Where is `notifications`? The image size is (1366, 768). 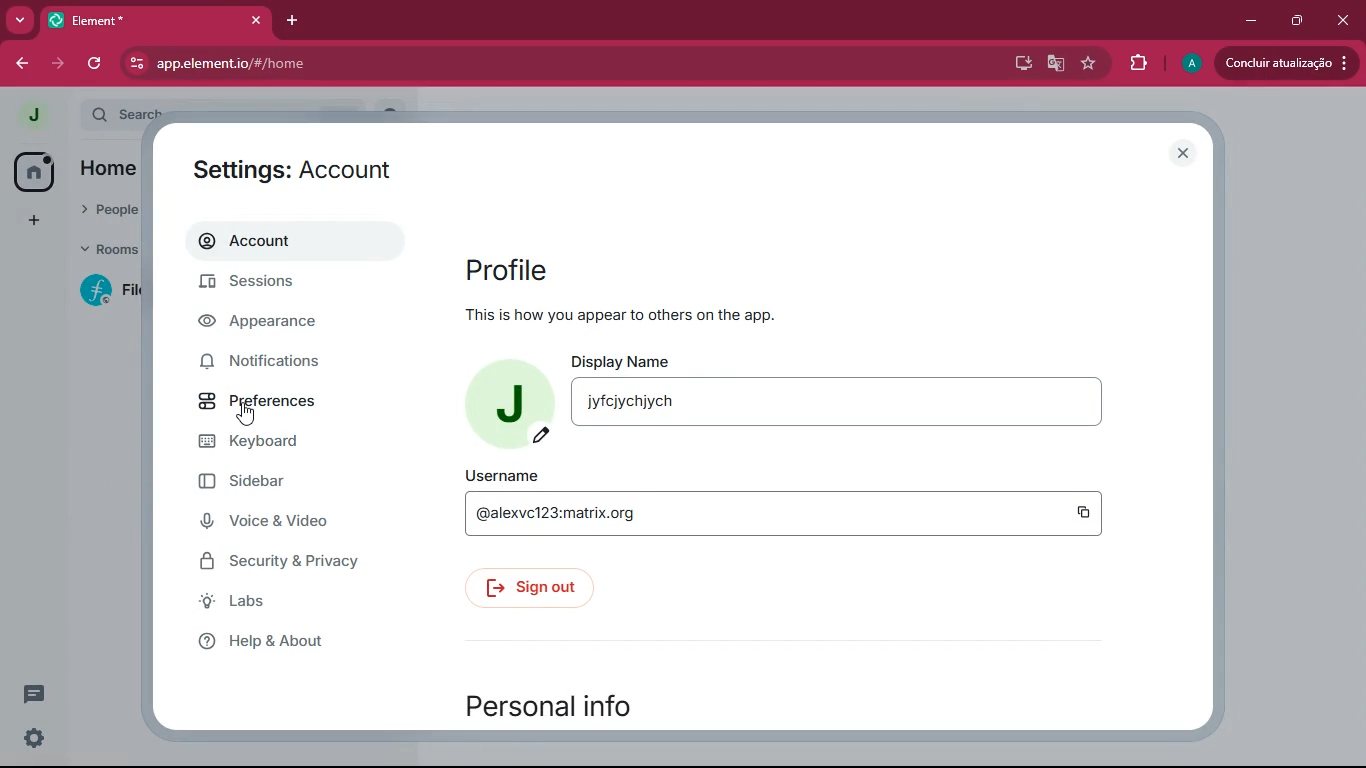
notifications is located at coordinates (268, 363).